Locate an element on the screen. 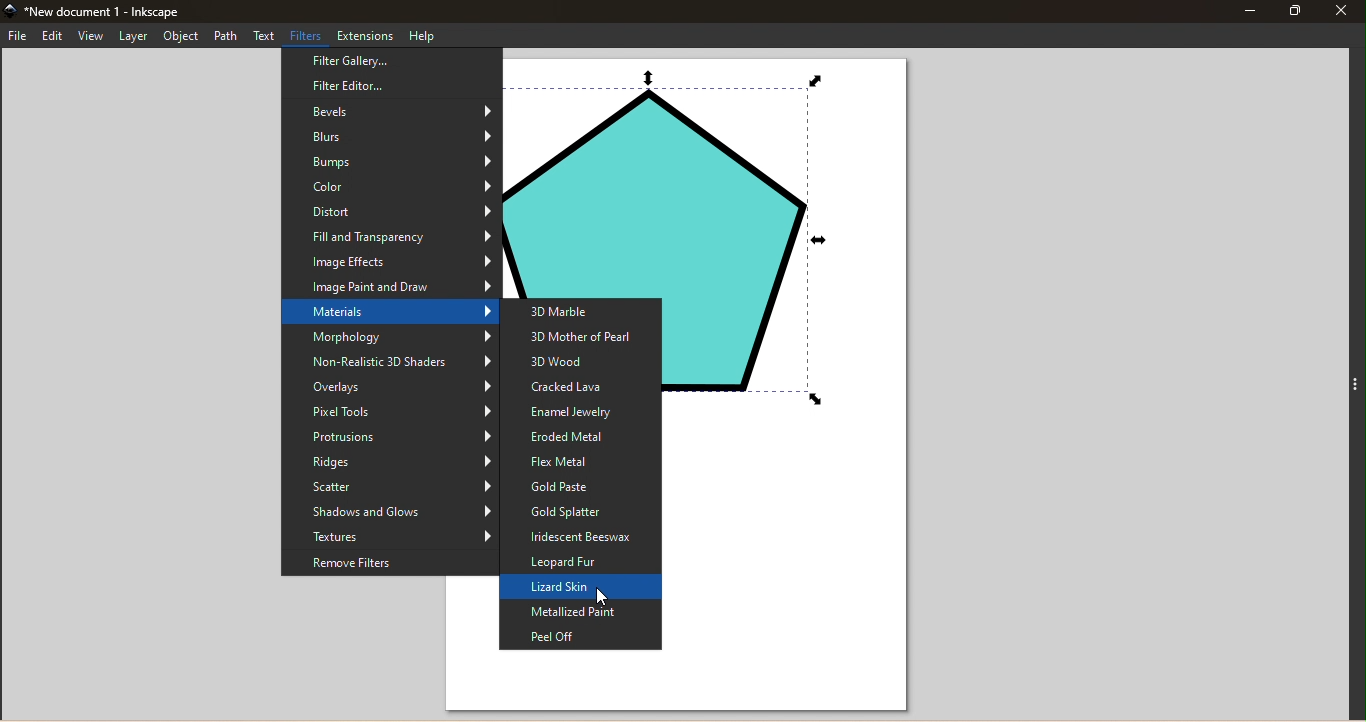 The width and height of the screenshot is (1366, 722). Flex Metal is located at coordinates (581, 461).